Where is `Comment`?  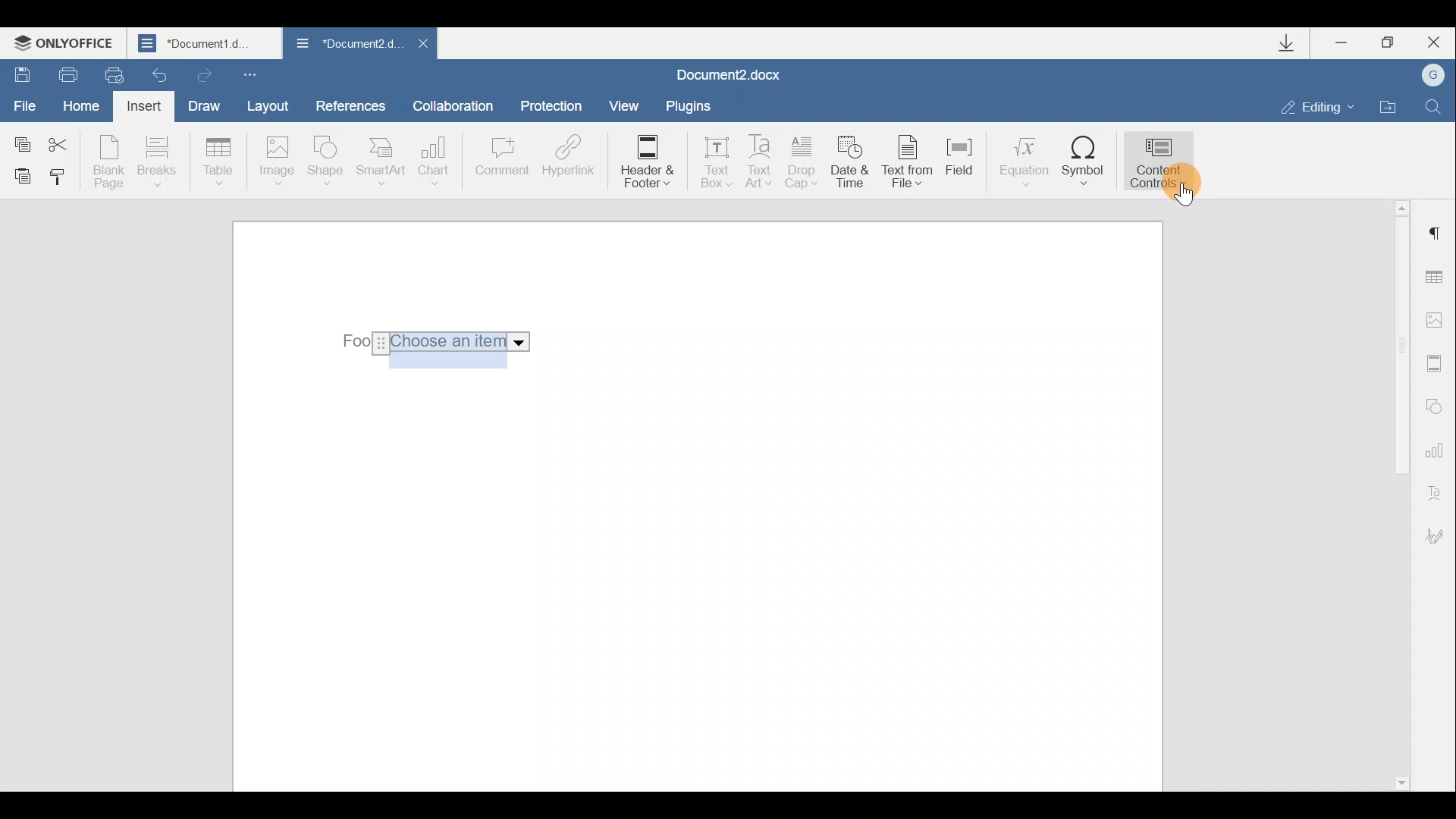
Comment is located at coordinates (501, 164).